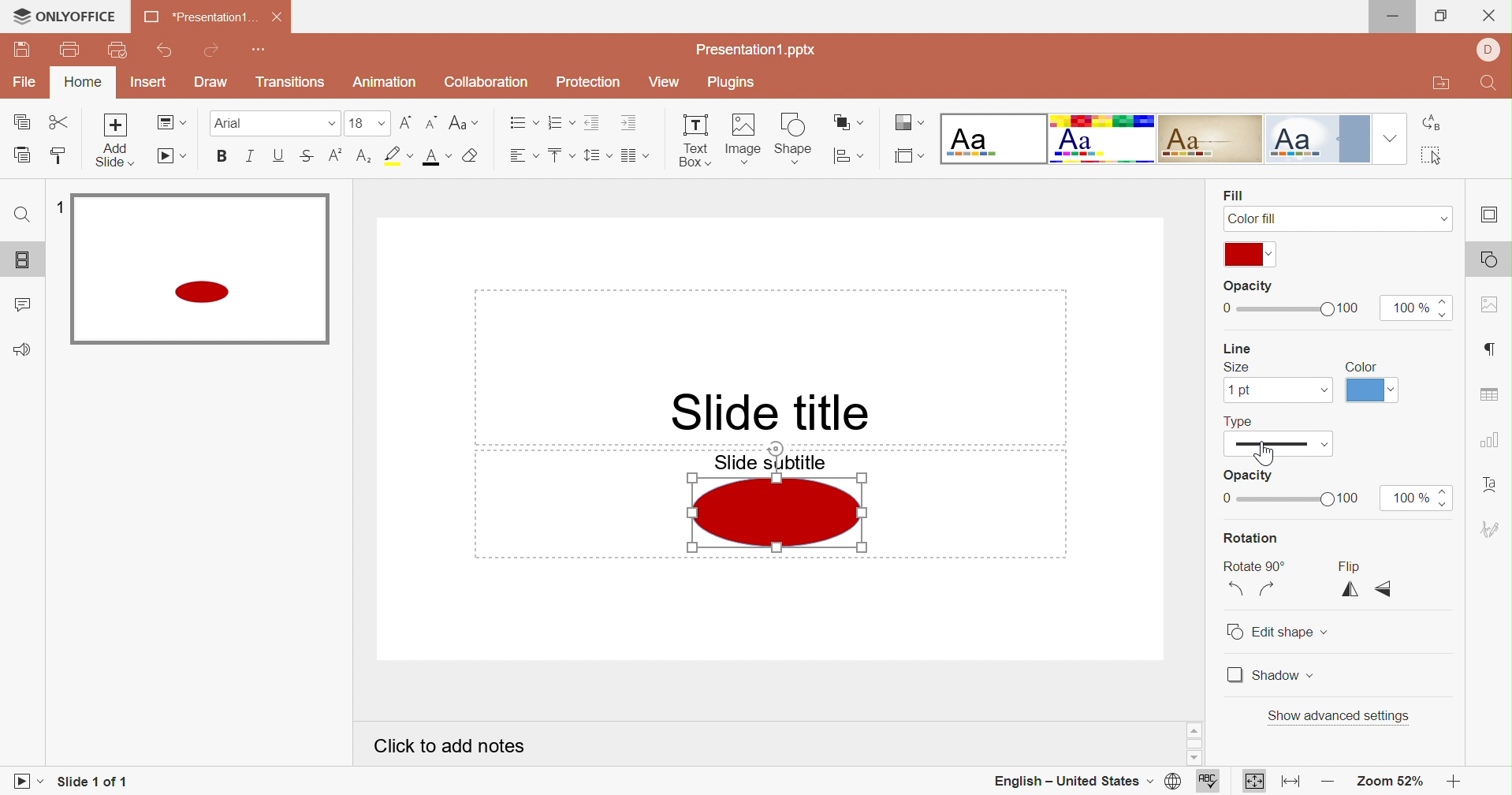  What do you see at coordinates (20, 214) in the screenshot?
I see `Find` at bounding box center [20, 214].